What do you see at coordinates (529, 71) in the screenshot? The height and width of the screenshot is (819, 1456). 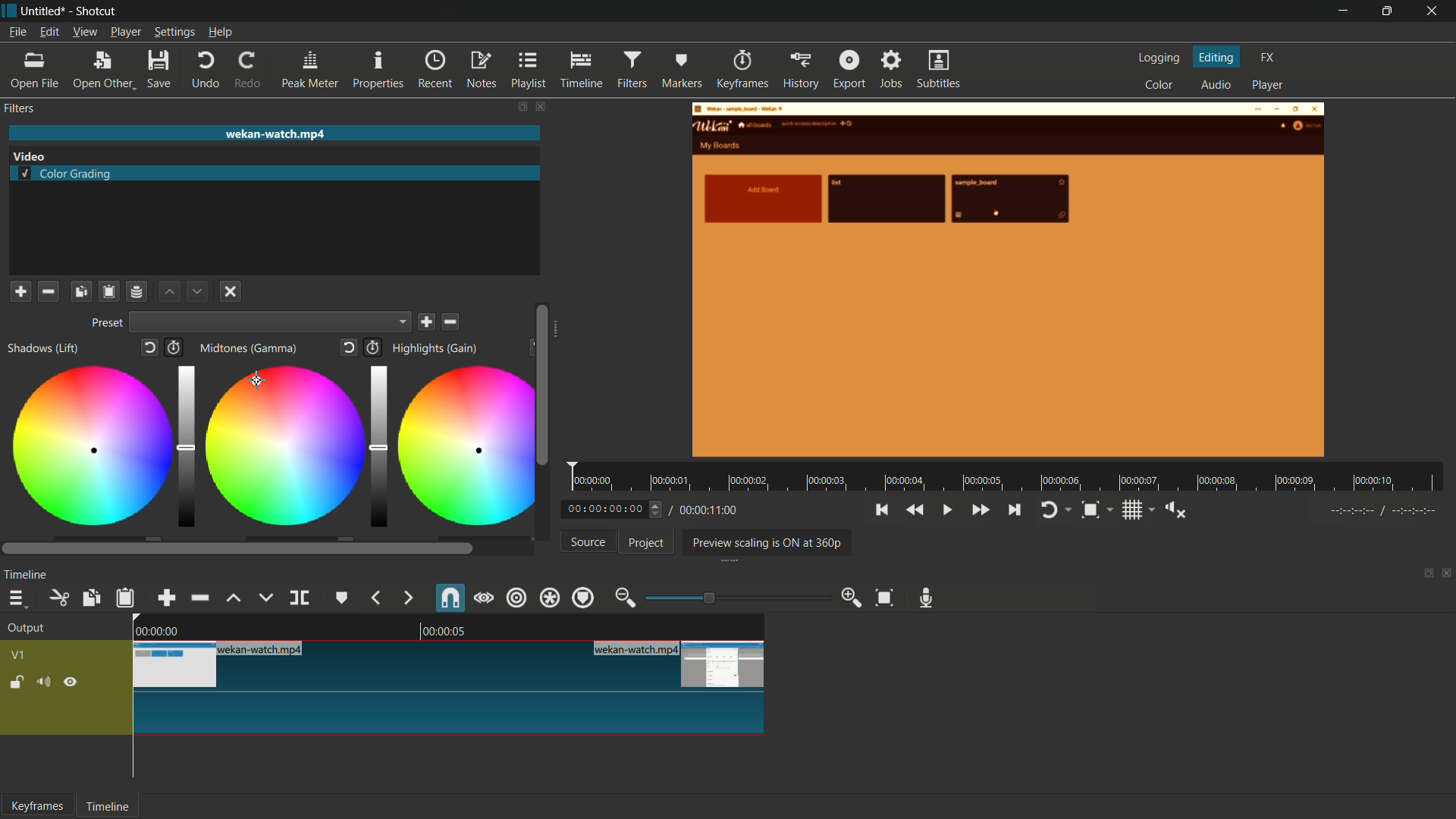 I see `playlist` at bounding box center [529, 71].